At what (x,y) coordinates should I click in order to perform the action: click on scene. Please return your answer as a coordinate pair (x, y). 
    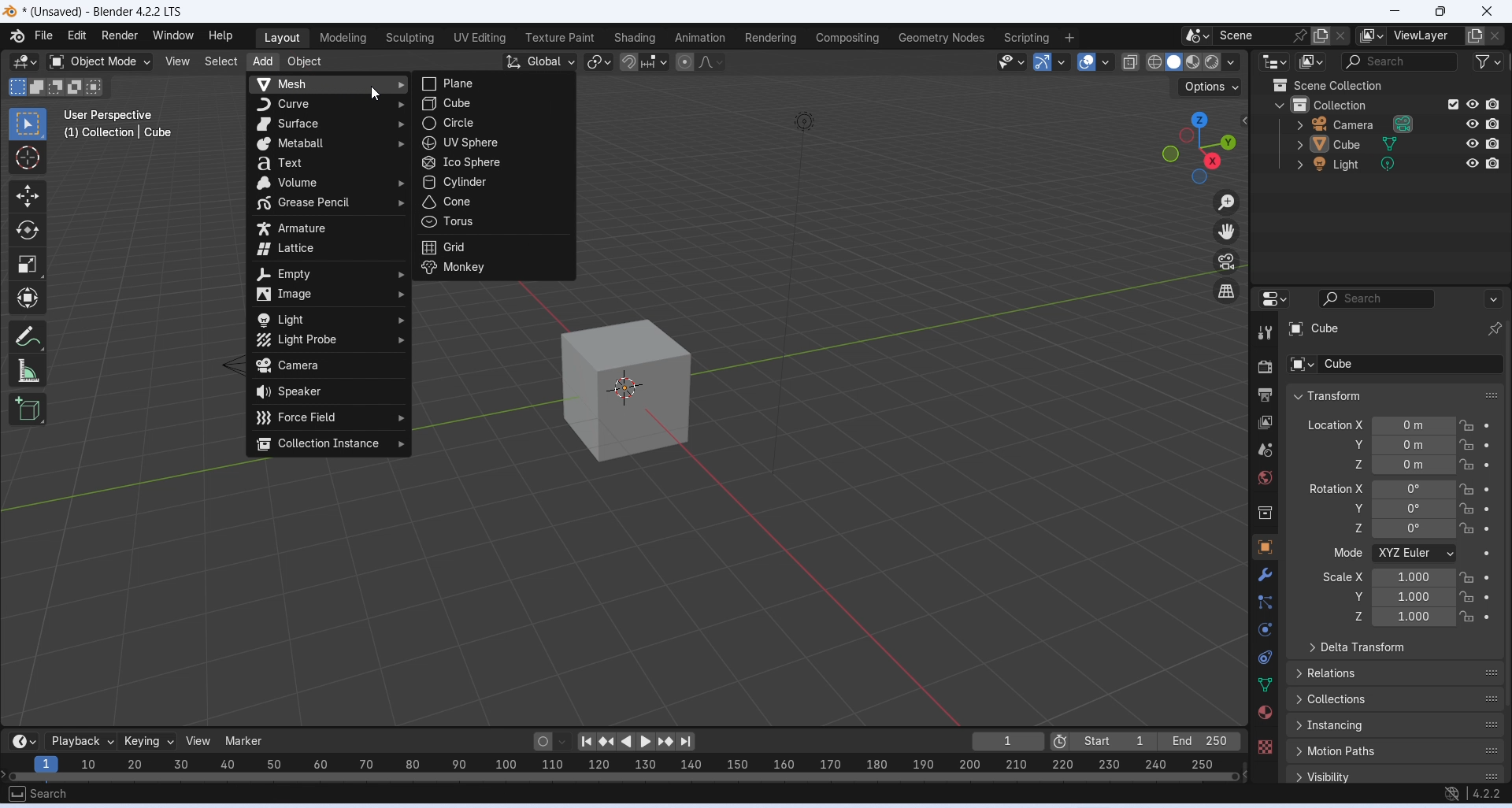
    Looking at the image, I should click on (1265, 450).